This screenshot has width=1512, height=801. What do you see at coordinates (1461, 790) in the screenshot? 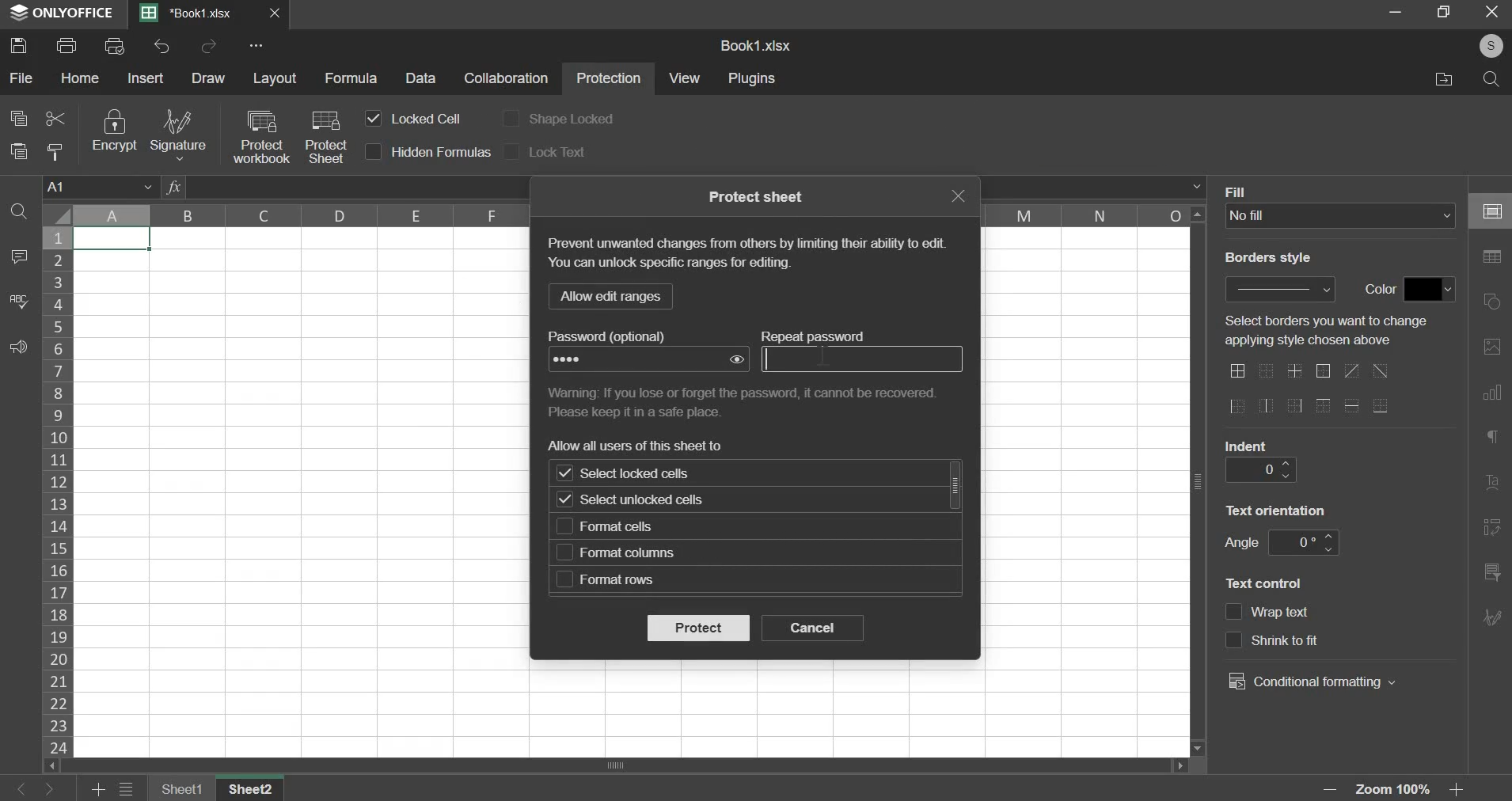
I see `zoom in` at bounding box center [1461, 790].